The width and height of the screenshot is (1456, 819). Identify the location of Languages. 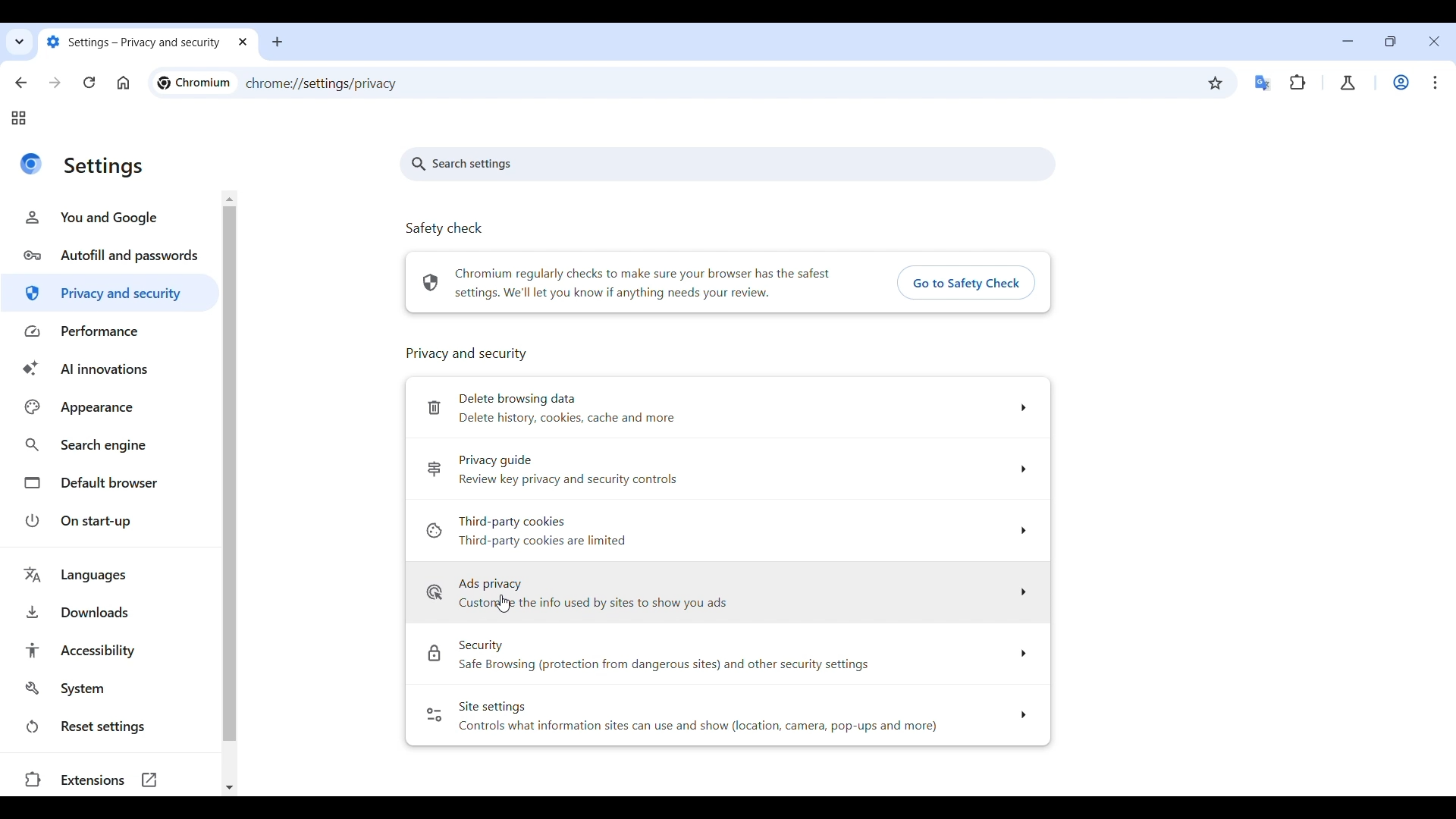
(114, 575).